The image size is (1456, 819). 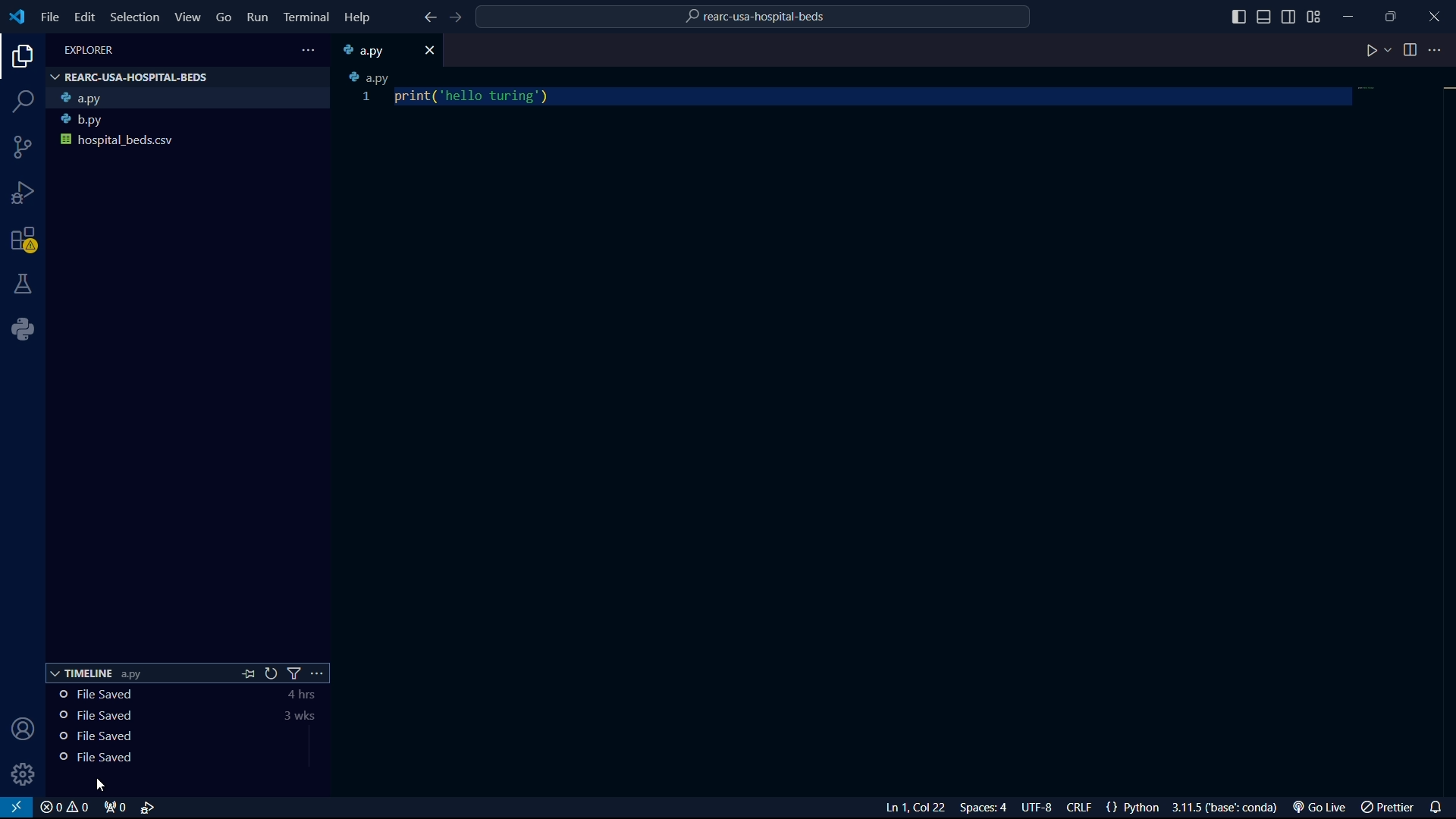 I want to click on a.py, so click(x=372, y=50).